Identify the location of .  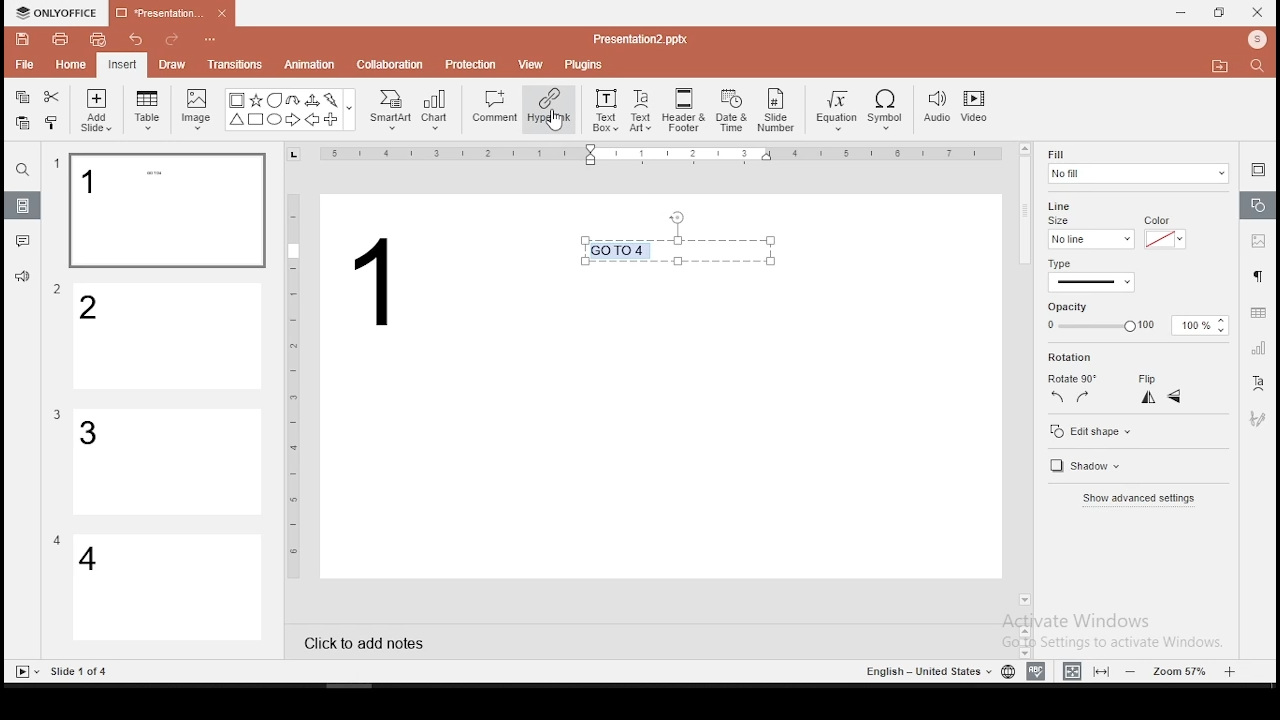
(294, 384).